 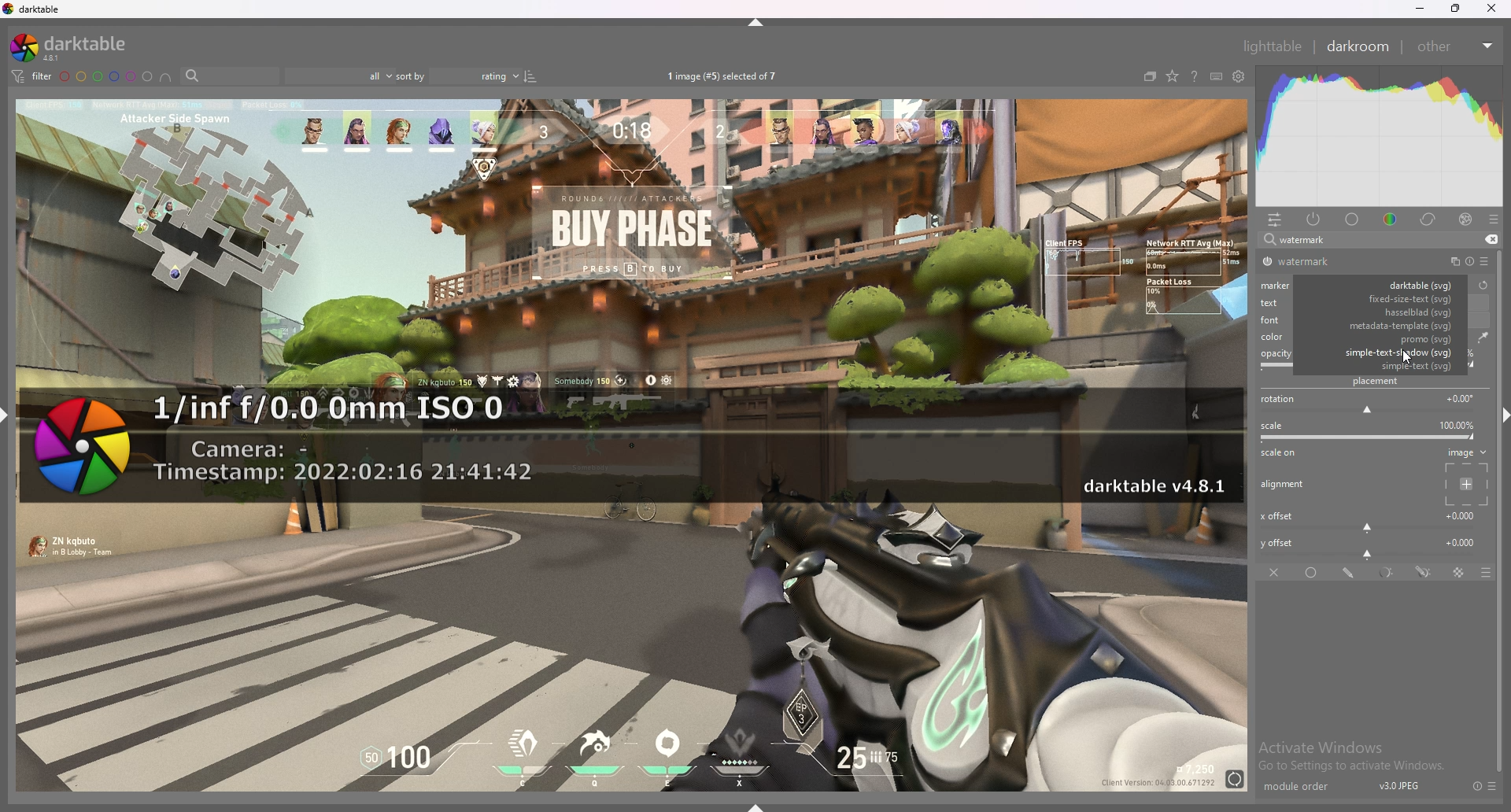 I want to click on alignment, so click(x=1285, y=485).